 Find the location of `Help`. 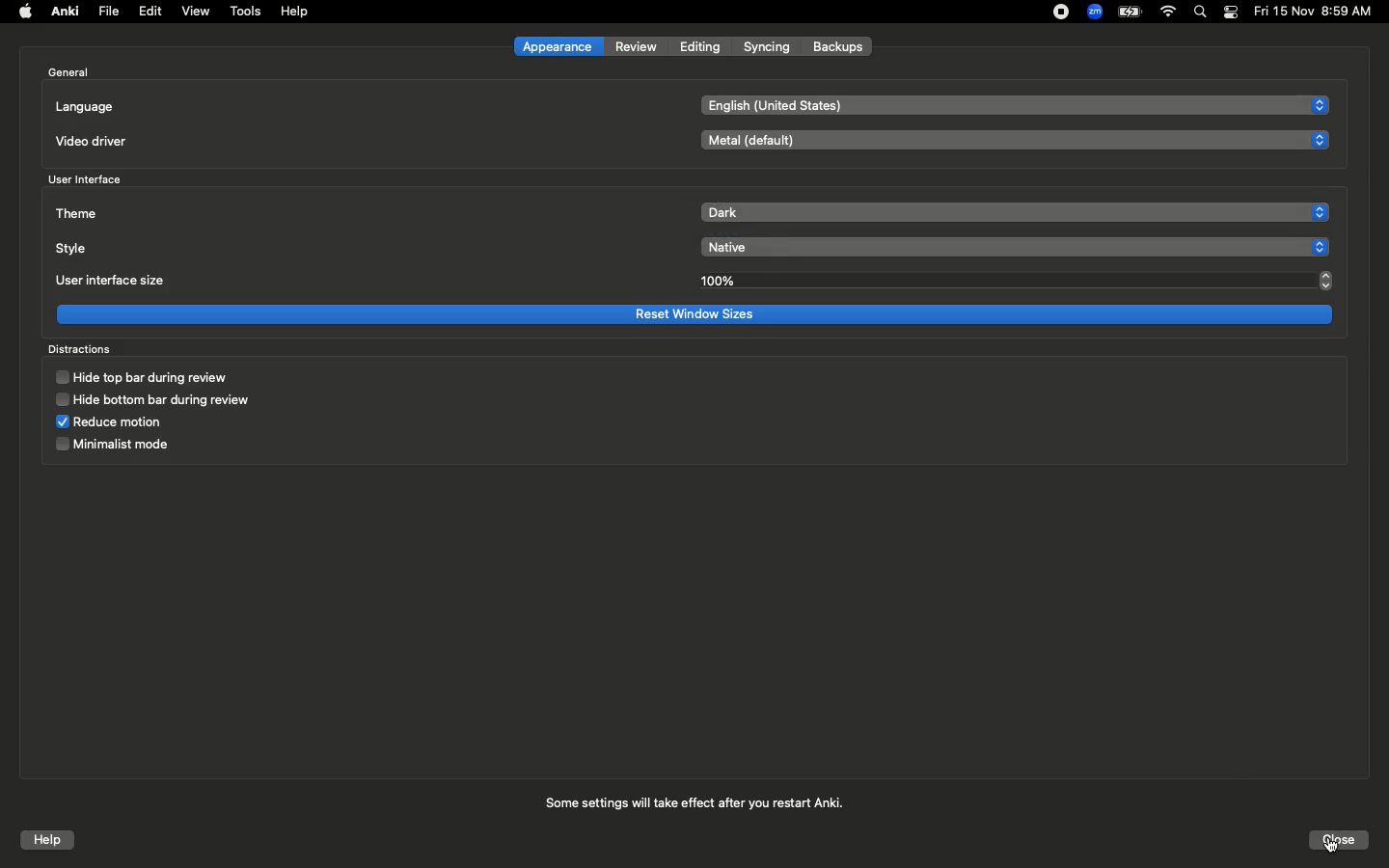

Help is located at coordinates (47, 839).